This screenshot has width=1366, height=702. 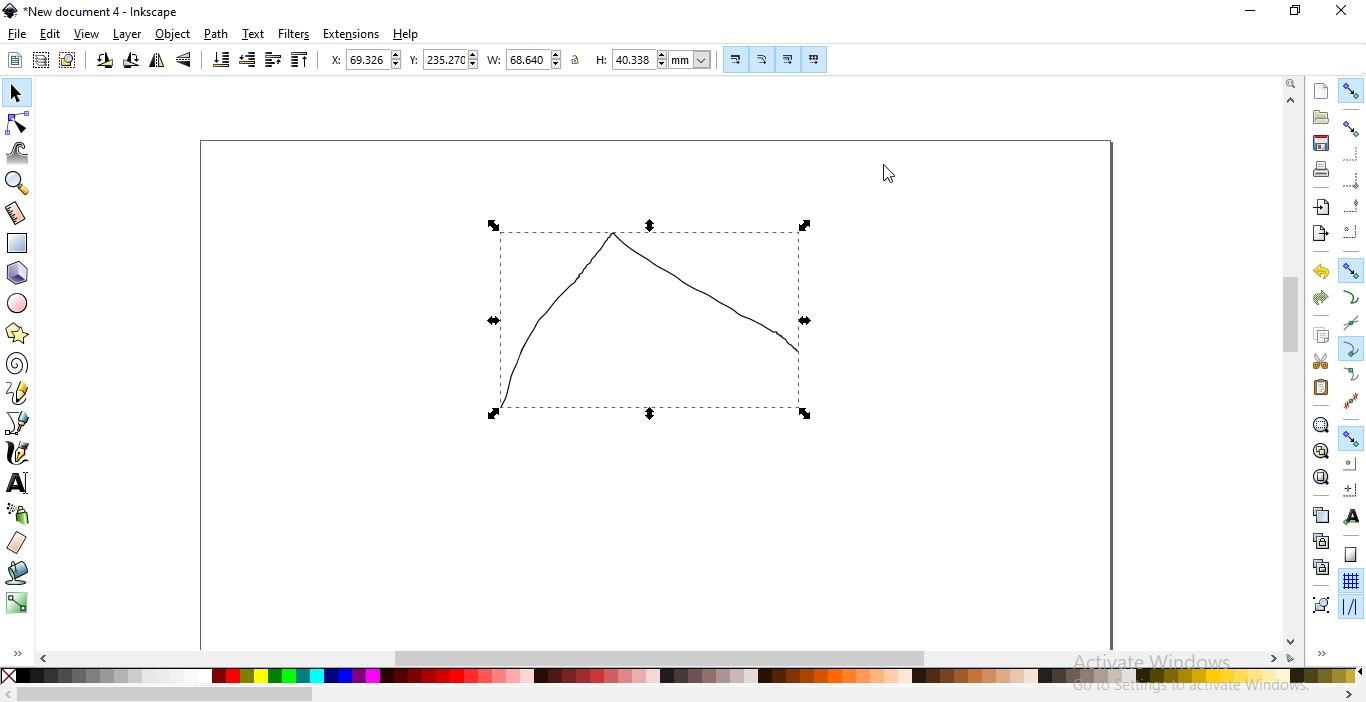 I want to click on snap guides, so click(x=1348, y=607).